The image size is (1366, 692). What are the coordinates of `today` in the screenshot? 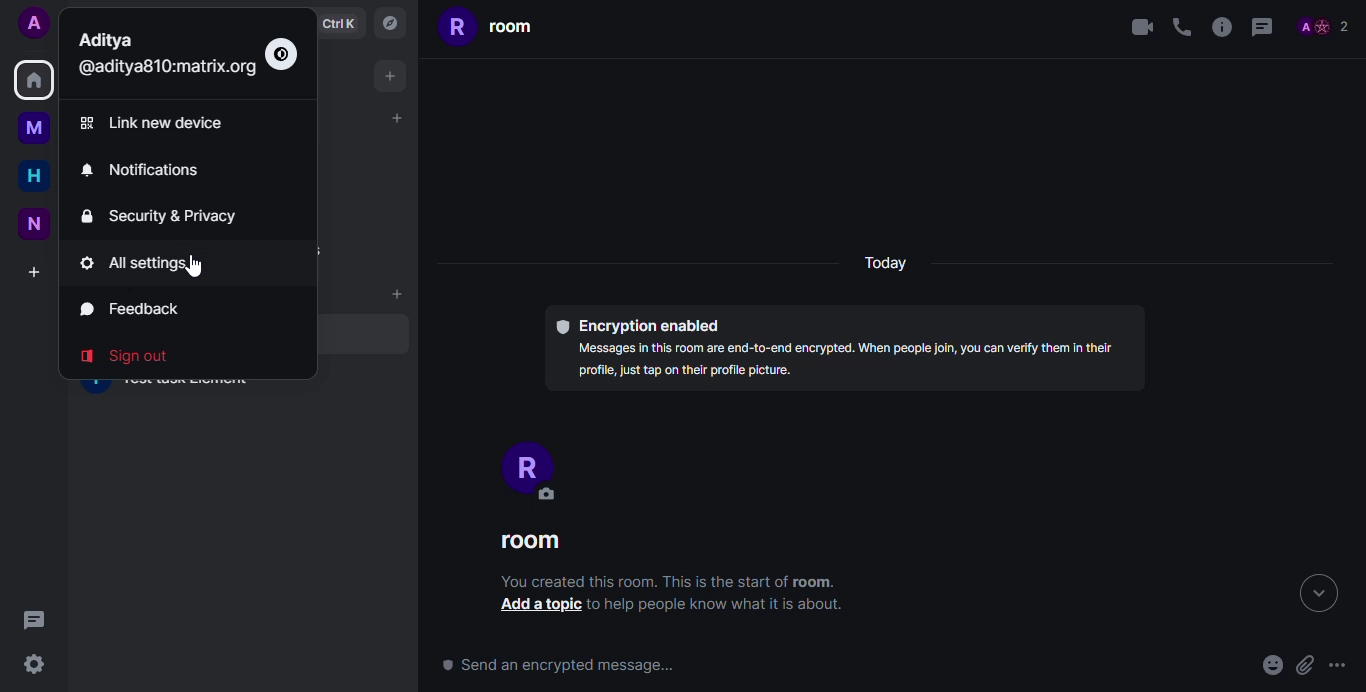 It's located at (886, 264).